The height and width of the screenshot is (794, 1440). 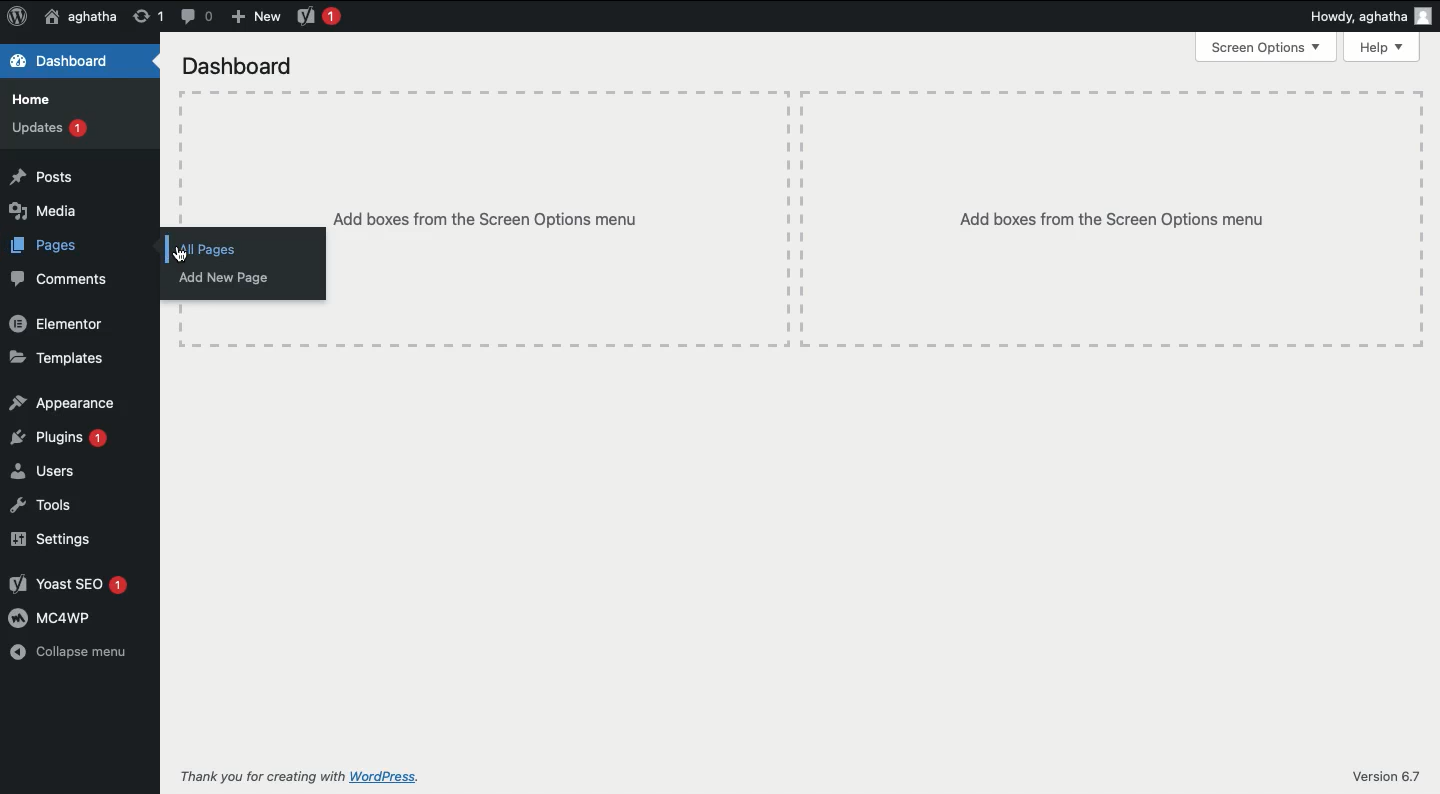 I want to click on Pages, so click(x=46, y=243).